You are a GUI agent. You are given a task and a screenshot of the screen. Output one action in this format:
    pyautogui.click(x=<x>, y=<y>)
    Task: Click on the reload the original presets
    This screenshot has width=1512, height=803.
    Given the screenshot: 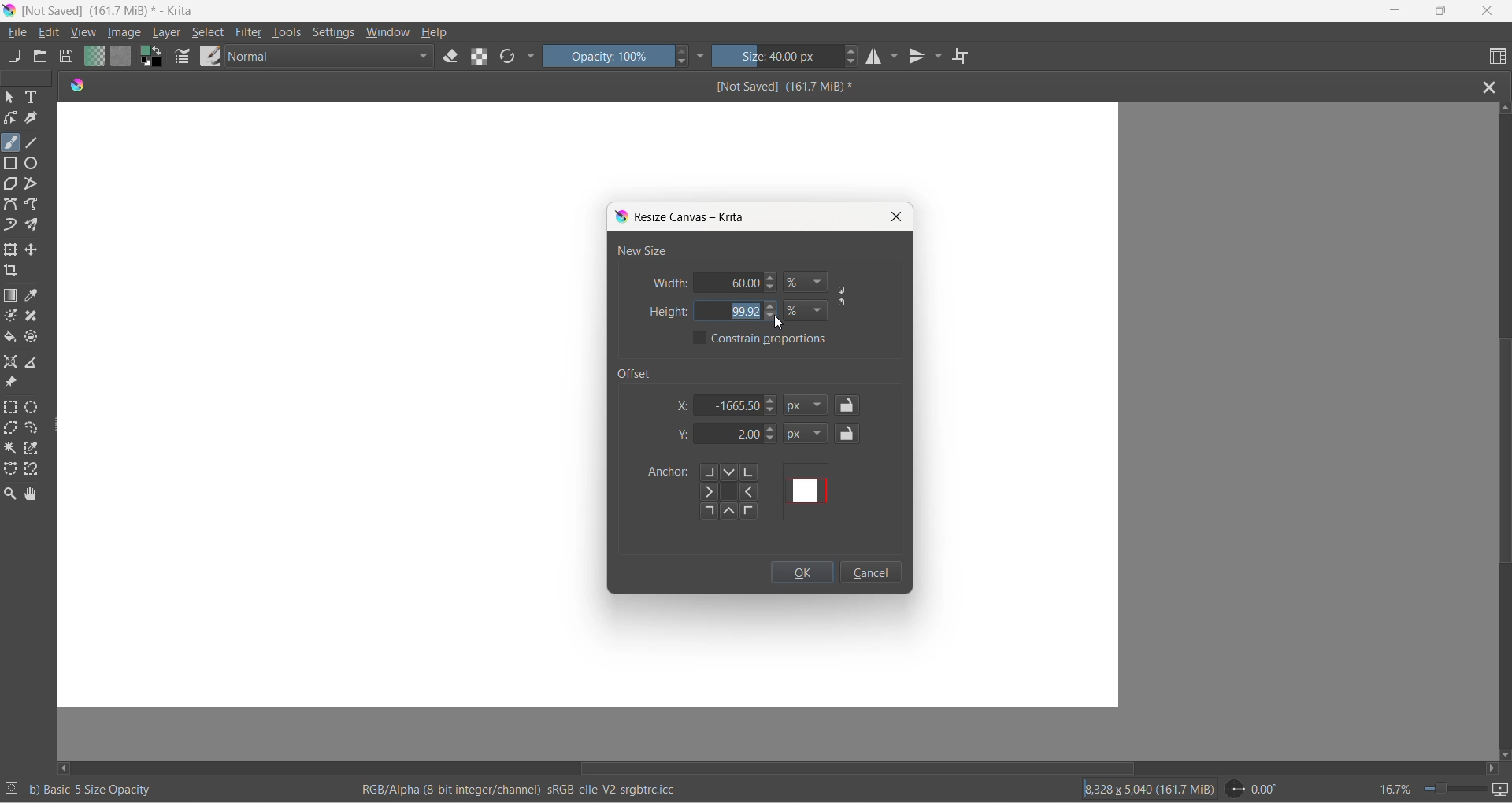 What is the action you would take?
    pyautogui.click(x=510, y=58)
    